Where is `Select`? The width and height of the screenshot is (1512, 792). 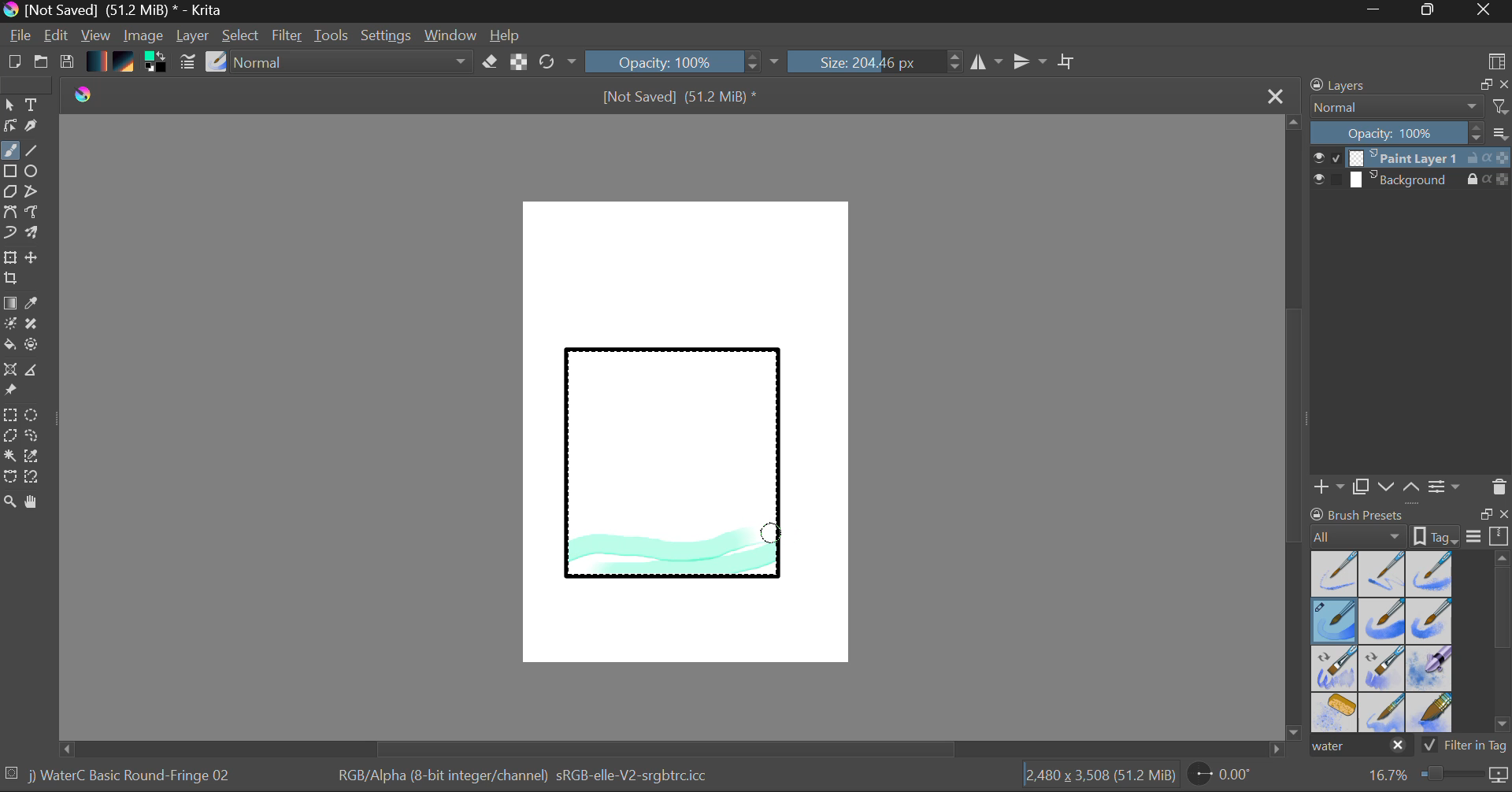 Select is located at coordinates (242, 36).